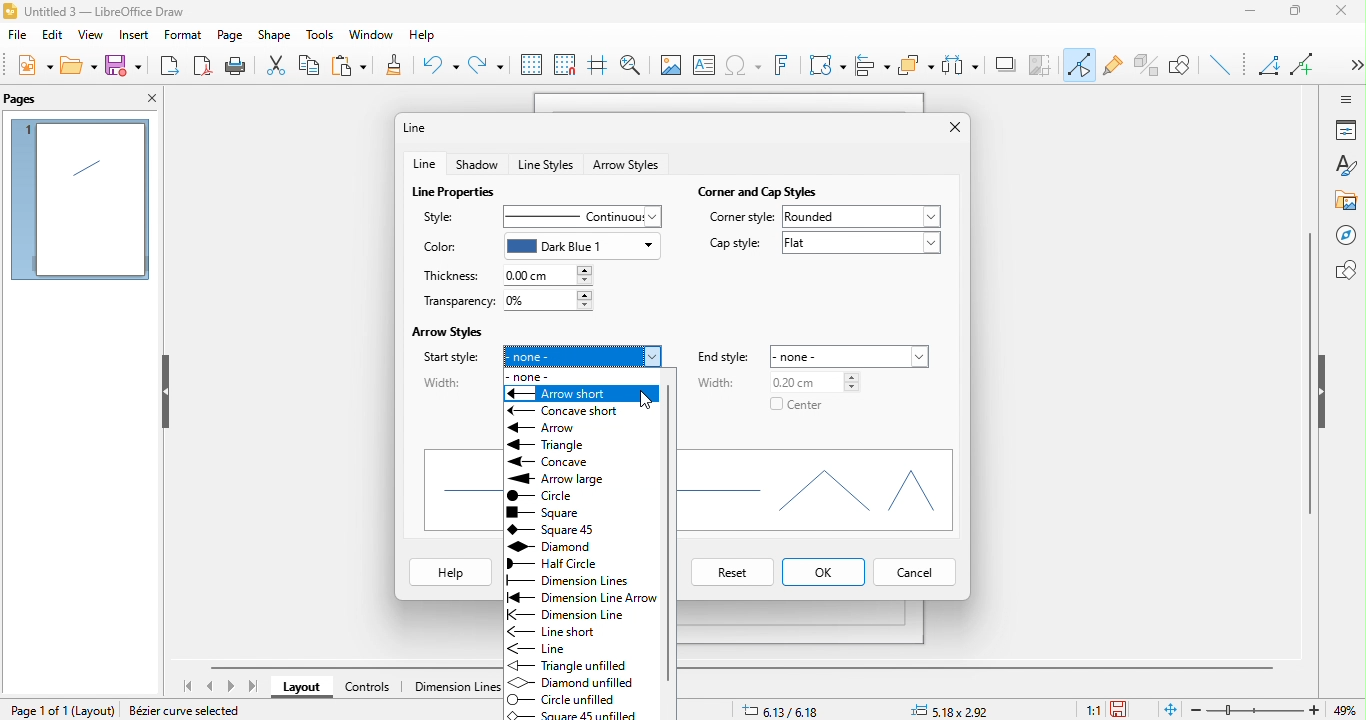  I want to click on circle, so click(572, 492).